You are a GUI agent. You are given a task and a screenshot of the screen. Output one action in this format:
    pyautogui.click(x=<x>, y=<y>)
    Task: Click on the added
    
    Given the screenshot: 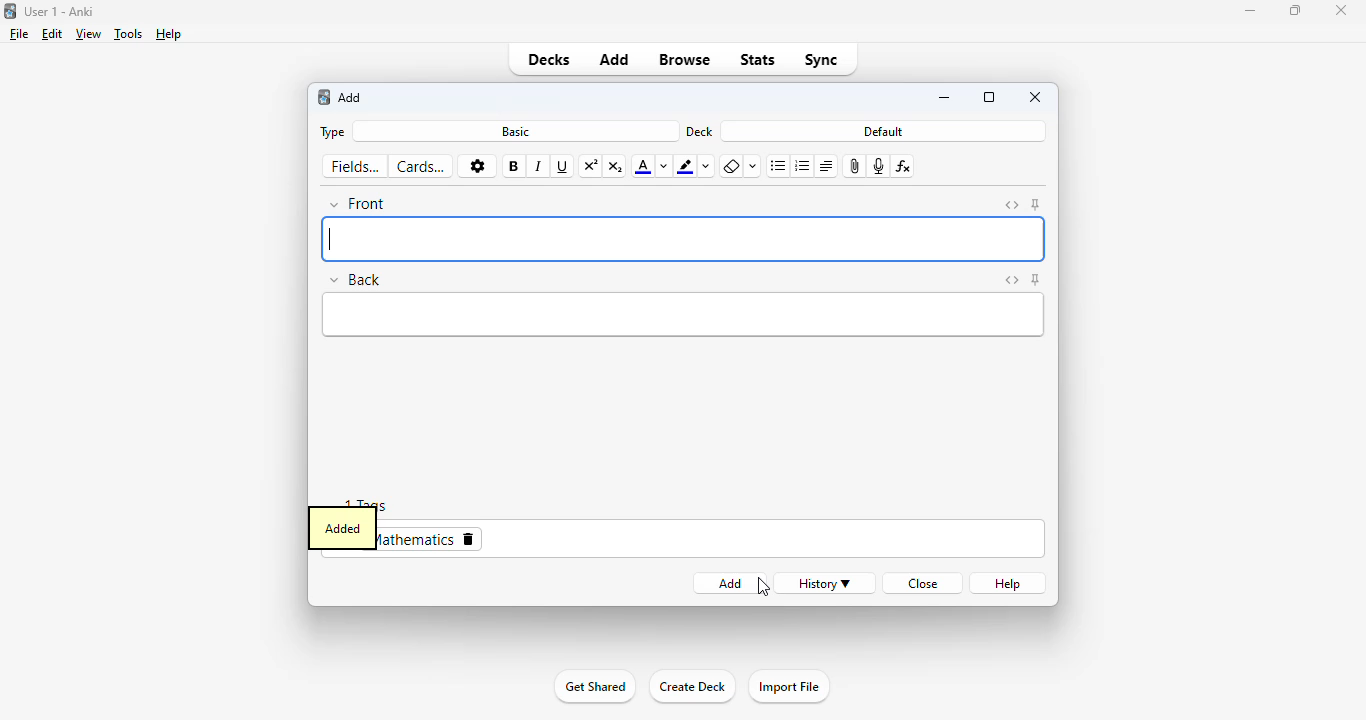 What is the action you would take?
    pyautogui.click(x=342, y=528)
    